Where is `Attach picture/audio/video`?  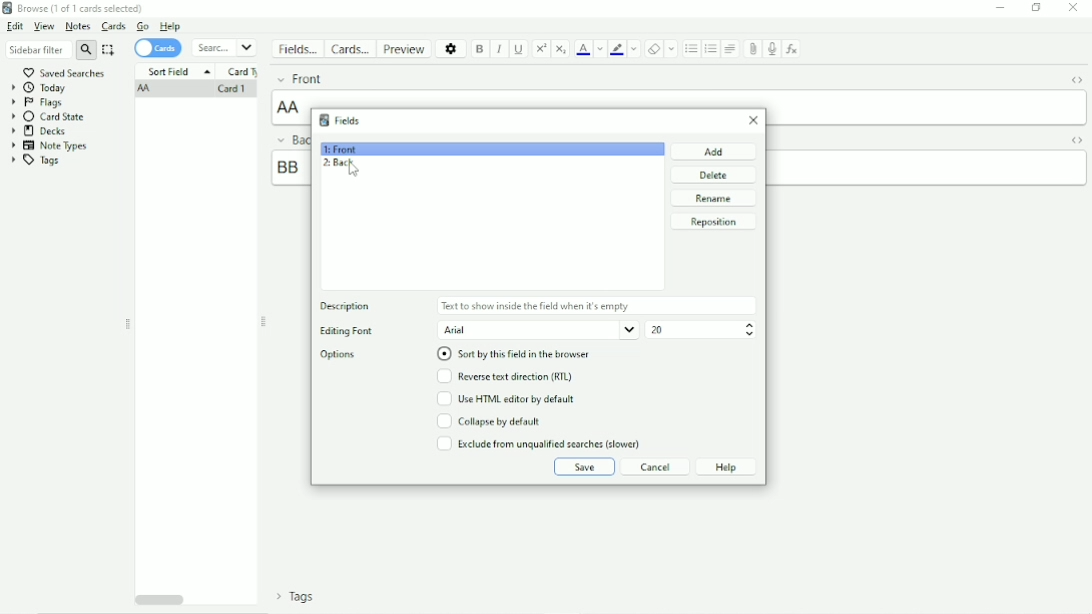 Attach picture/audio/video is located at coordinates (751, 49).